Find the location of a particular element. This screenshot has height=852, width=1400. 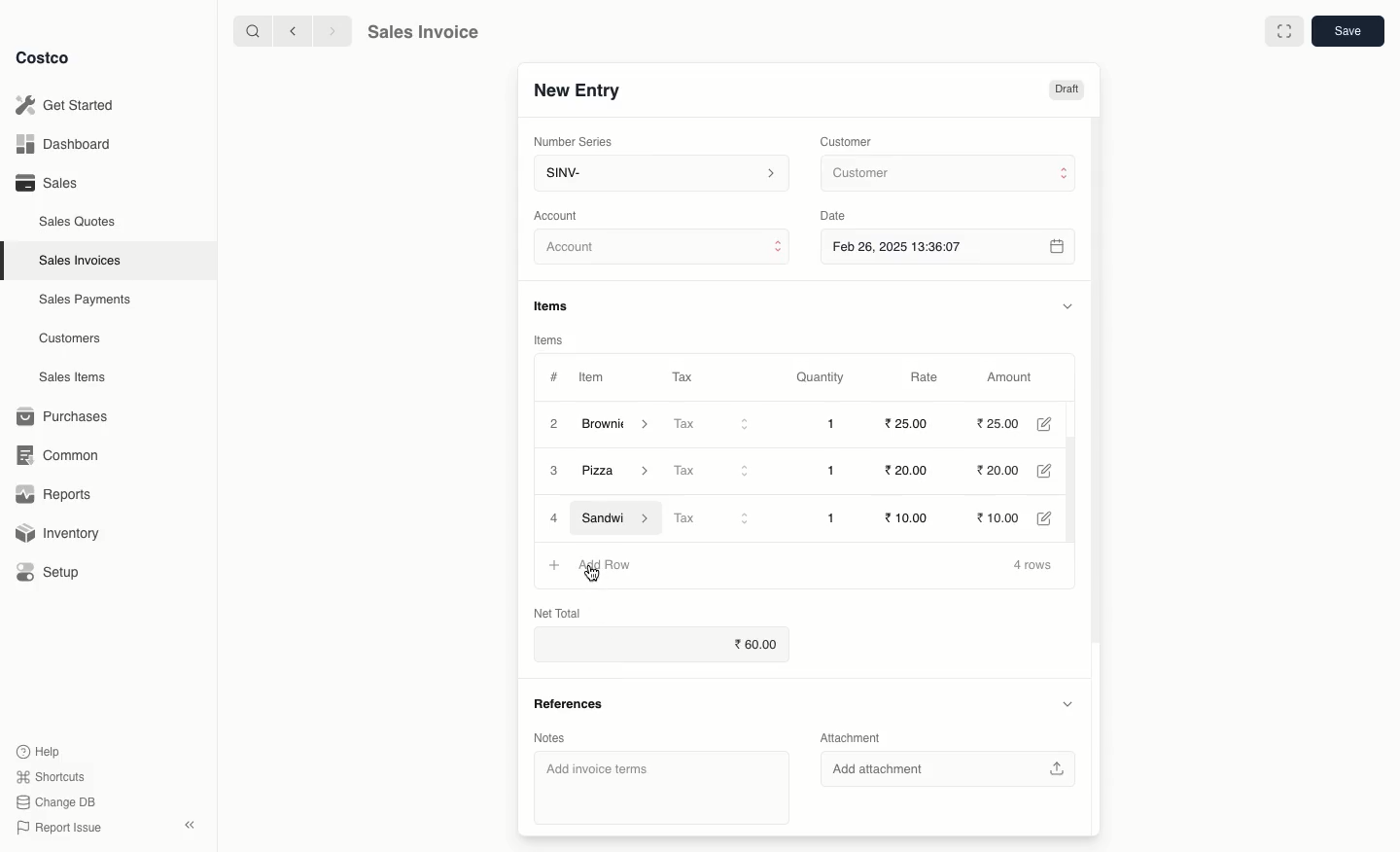

60.00 is located at coordinates (759, 645).